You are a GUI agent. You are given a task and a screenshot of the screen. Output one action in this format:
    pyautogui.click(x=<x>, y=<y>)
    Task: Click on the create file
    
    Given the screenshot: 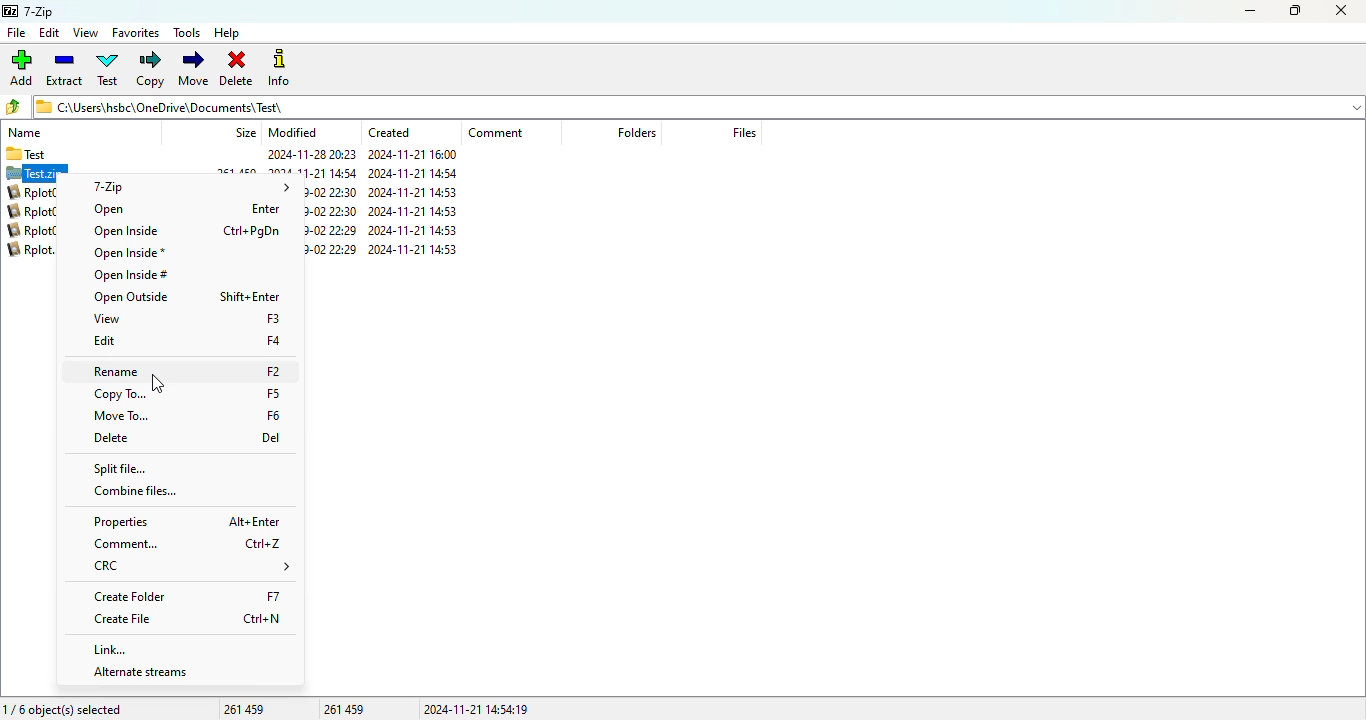 What is the action you would take?
    pyautogui.click(x=120, y=618)
    